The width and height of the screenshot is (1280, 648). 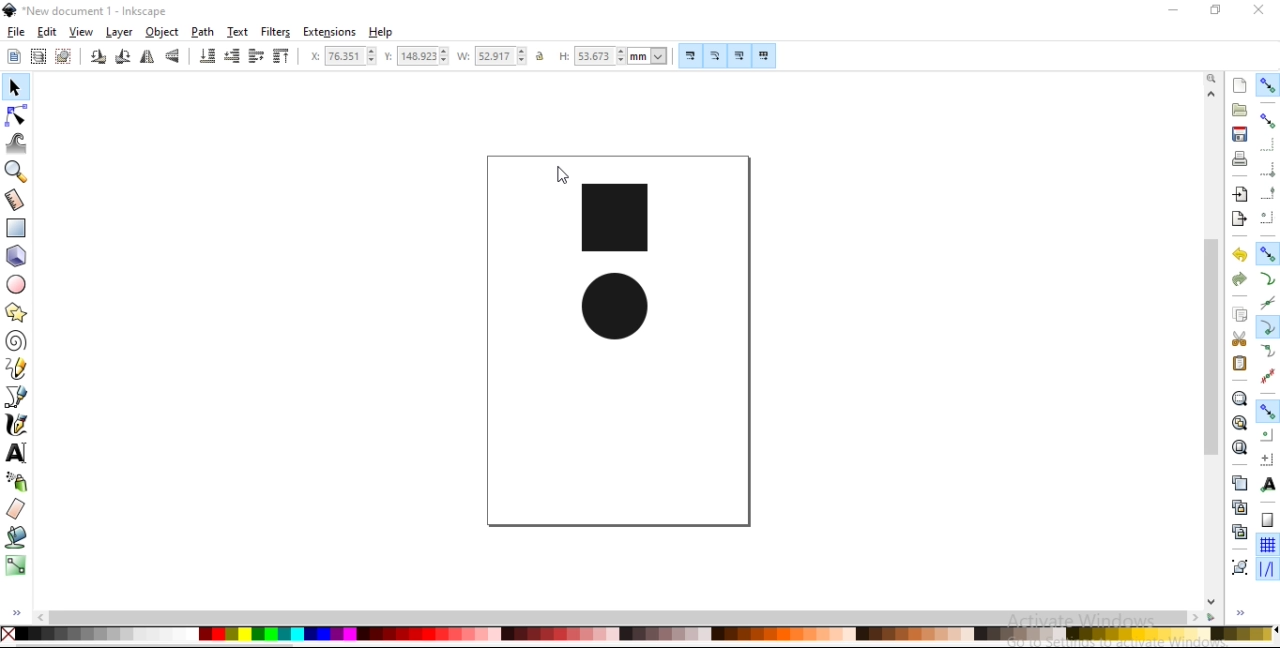 What do you see at coordinates (690, 56) in the screenshot?
I see `scale stroke width by same proportion ` at bounding box center [690, 56].